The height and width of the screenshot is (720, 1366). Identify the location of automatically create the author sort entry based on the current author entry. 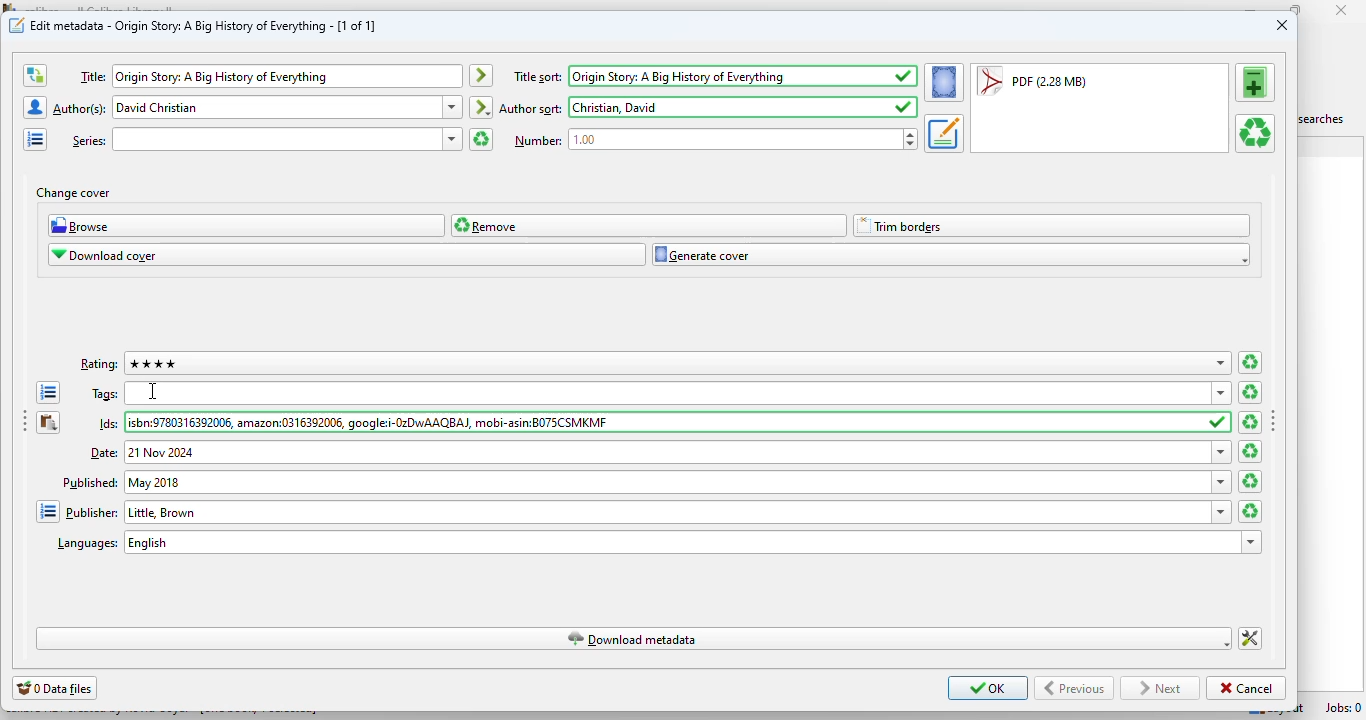
(482, 107).